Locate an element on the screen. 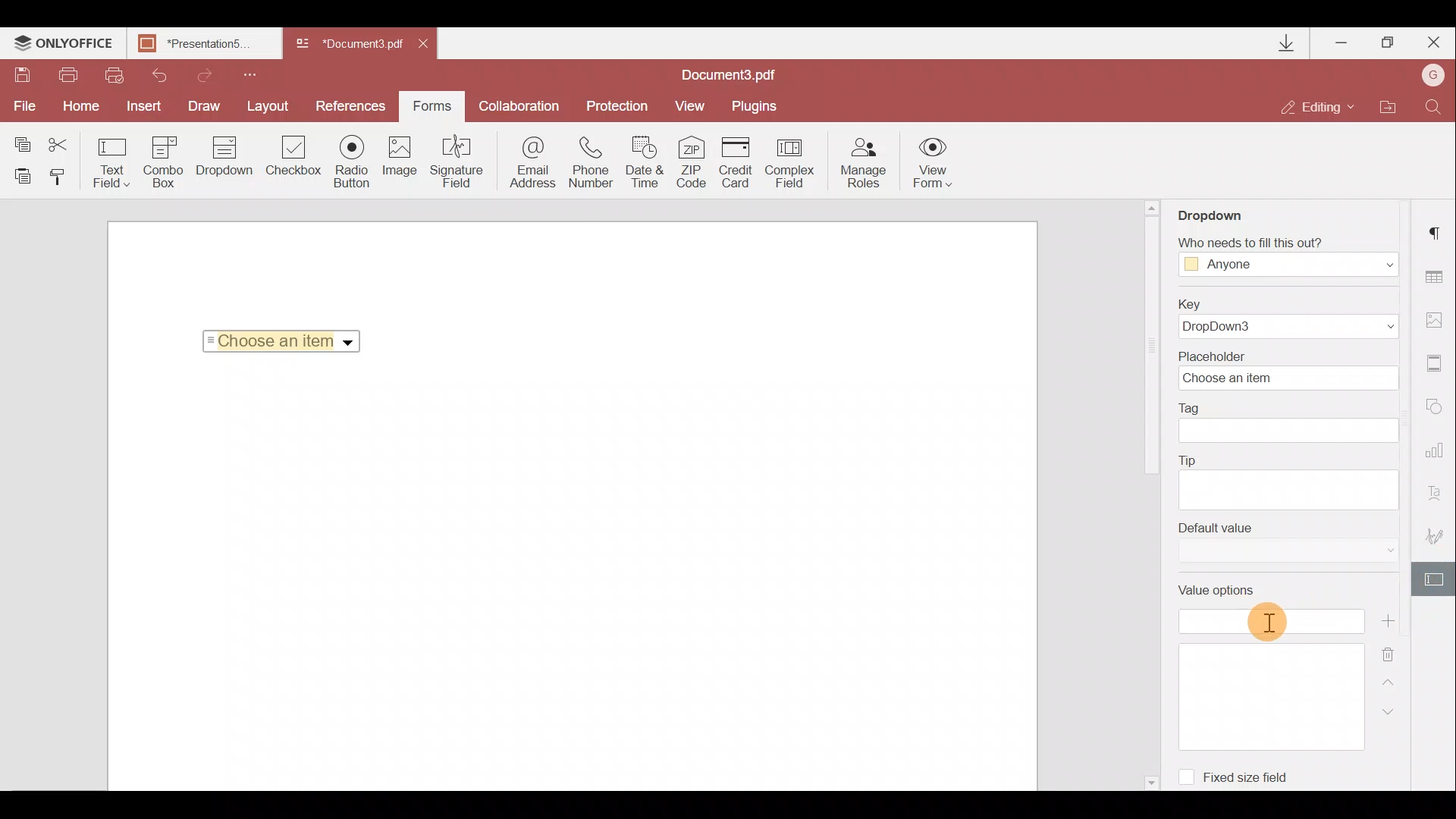 This screenshot has height=819, width=1456. View is located at coordinates (695, 106).